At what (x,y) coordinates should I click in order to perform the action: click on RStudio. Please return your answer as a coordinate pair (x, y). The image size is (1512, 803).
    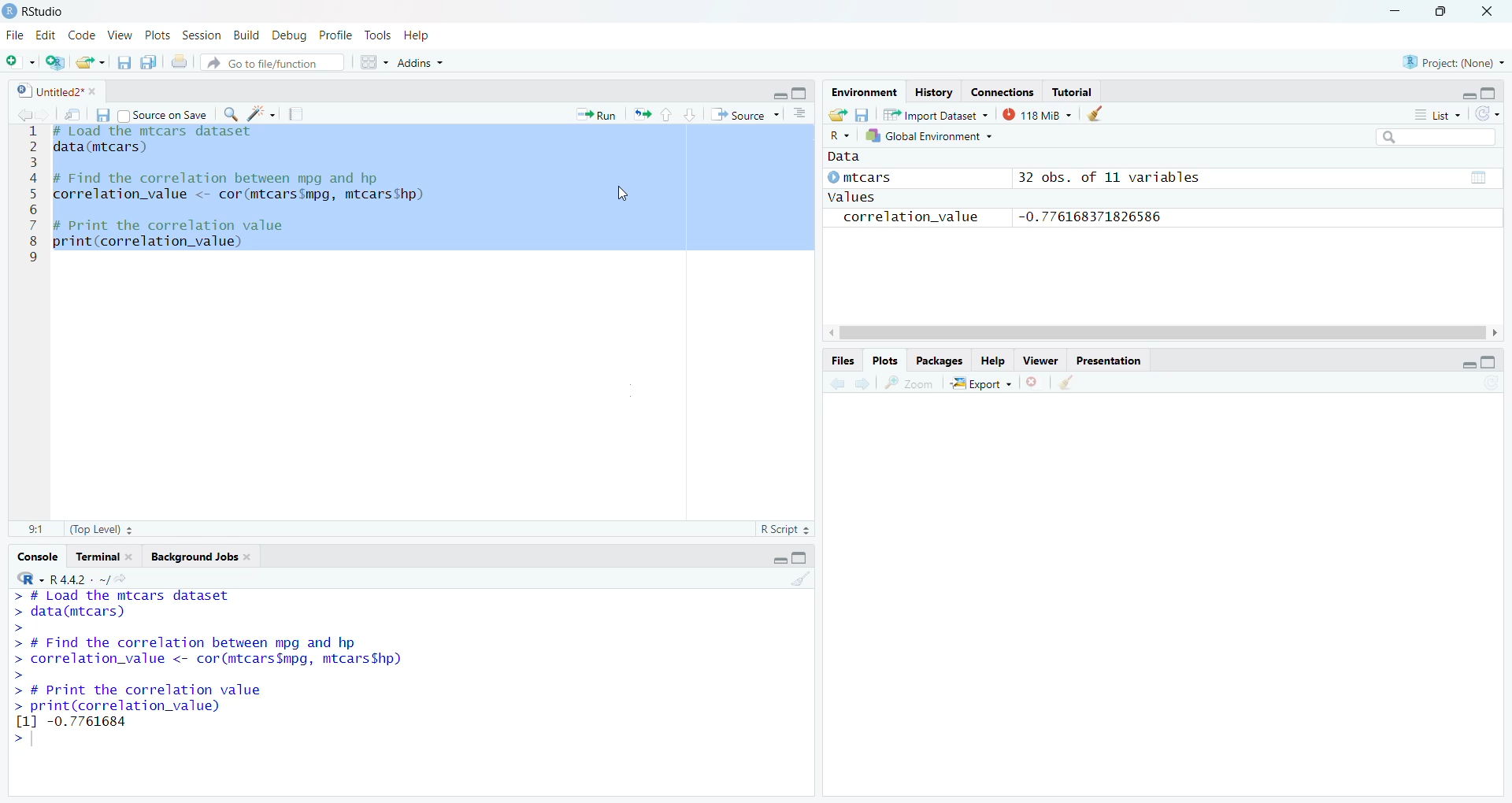
    Looking at the image, I should click on (39, 13).